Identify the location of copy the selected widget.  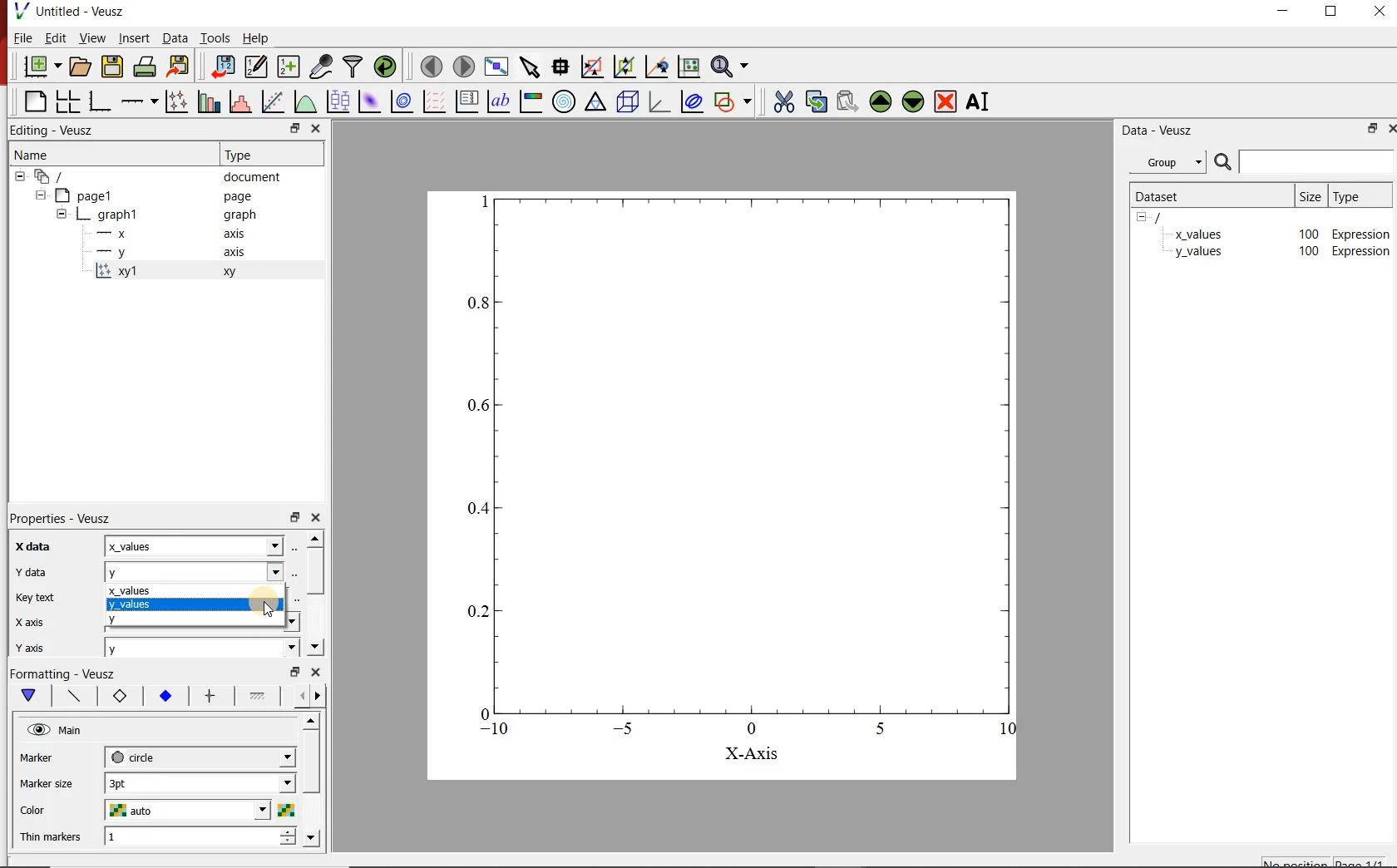
(815, 102).